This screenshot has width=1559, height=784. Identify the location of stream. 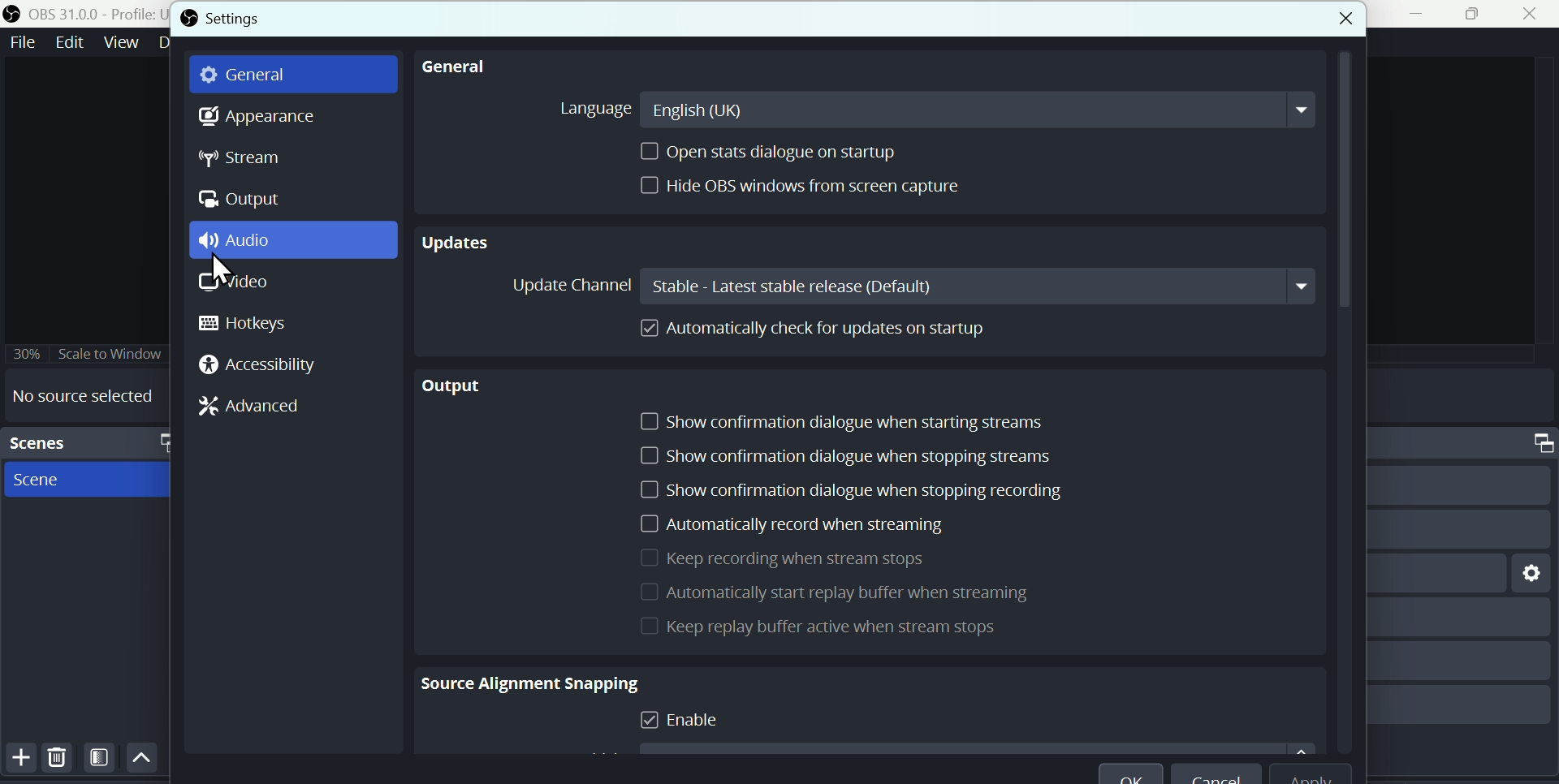
(247, 160).